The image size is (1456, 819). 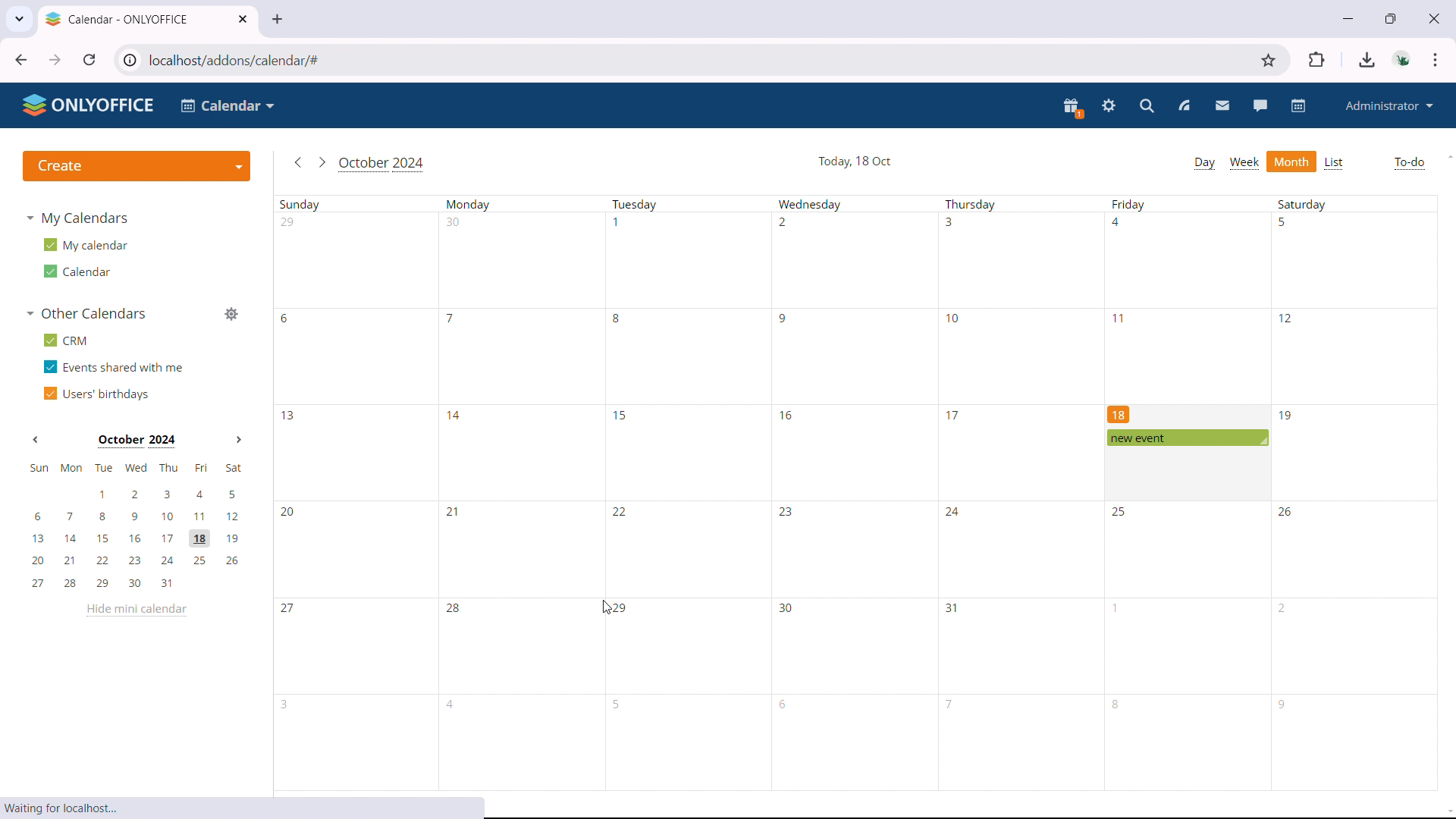 I want to click on 1, so click(x=617, y=221).